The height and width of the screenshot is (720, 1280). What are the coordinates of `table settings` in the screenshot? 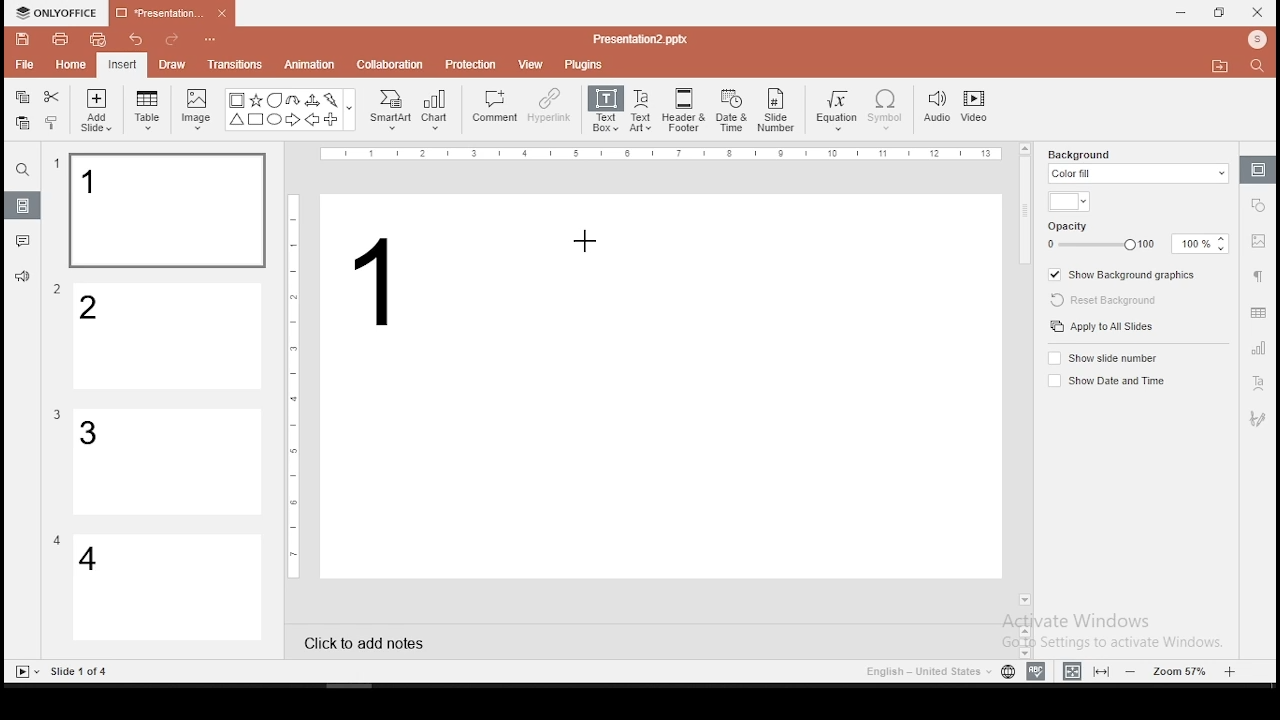 It's located at (1256, 313).